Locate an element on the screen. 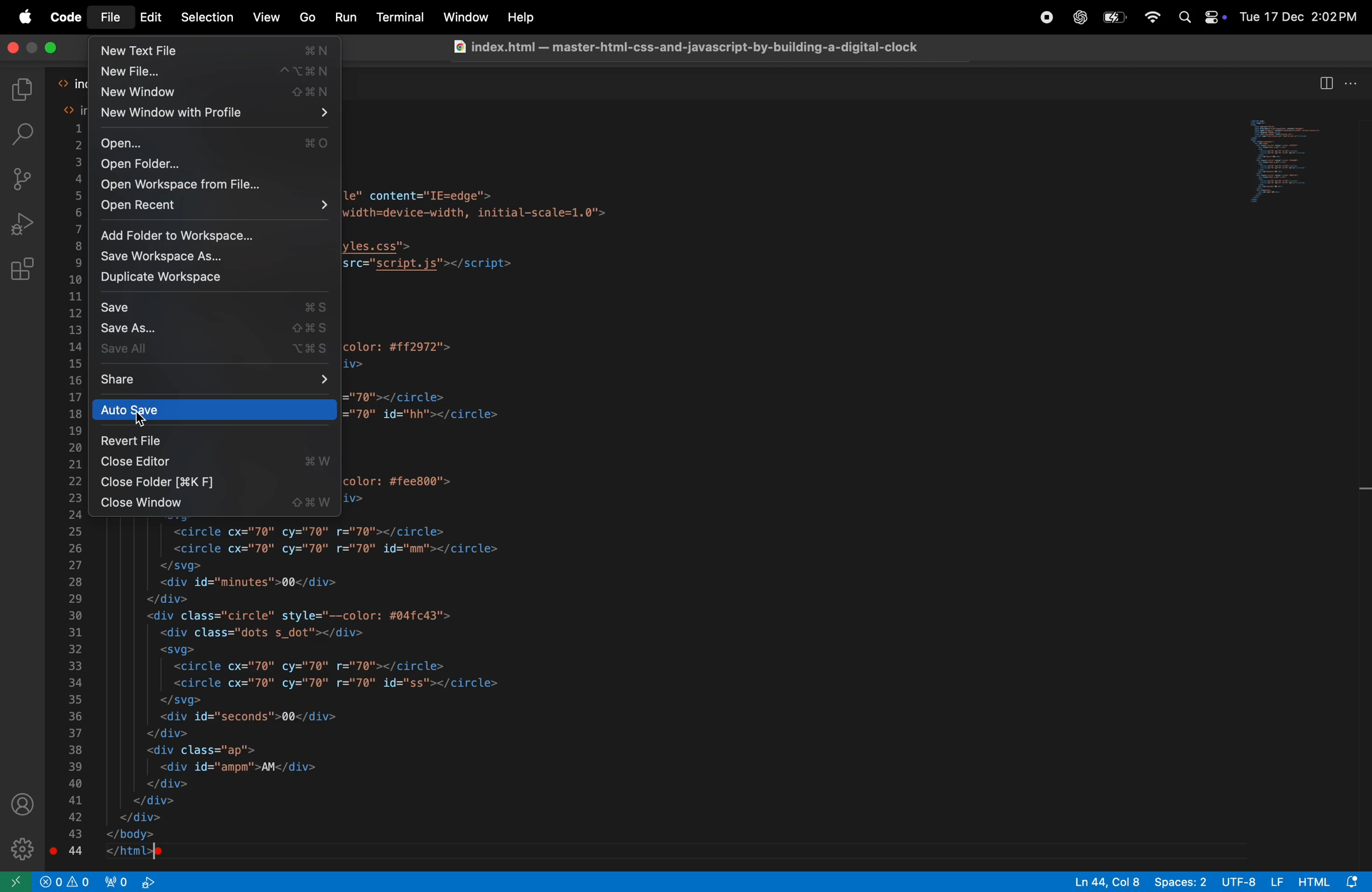 The height and width of the screenshot is (892, 1372). save all is located at coordinates (218, 350).